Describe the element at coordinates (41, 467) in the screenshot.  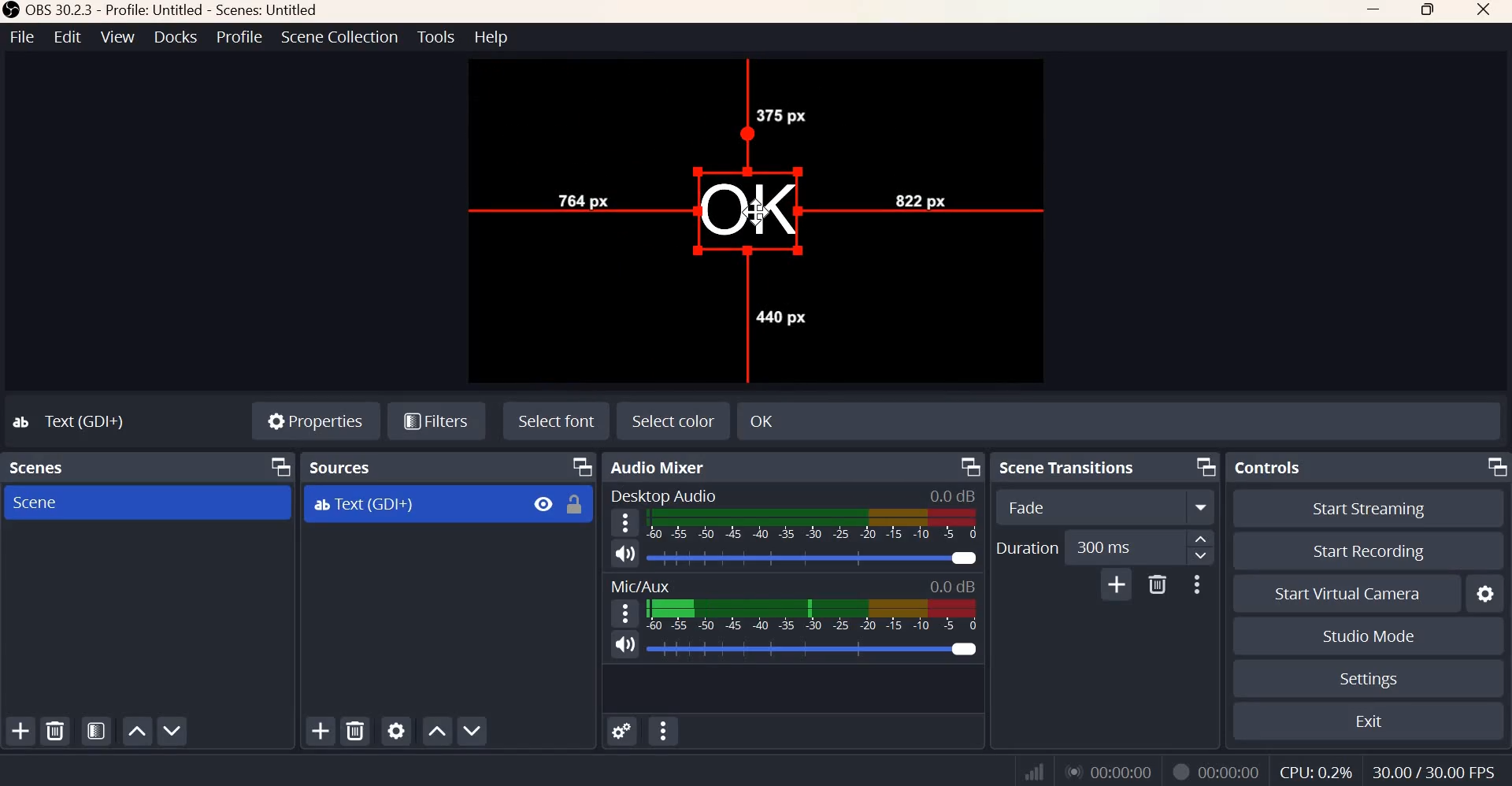
I see `Scenes` at that location.